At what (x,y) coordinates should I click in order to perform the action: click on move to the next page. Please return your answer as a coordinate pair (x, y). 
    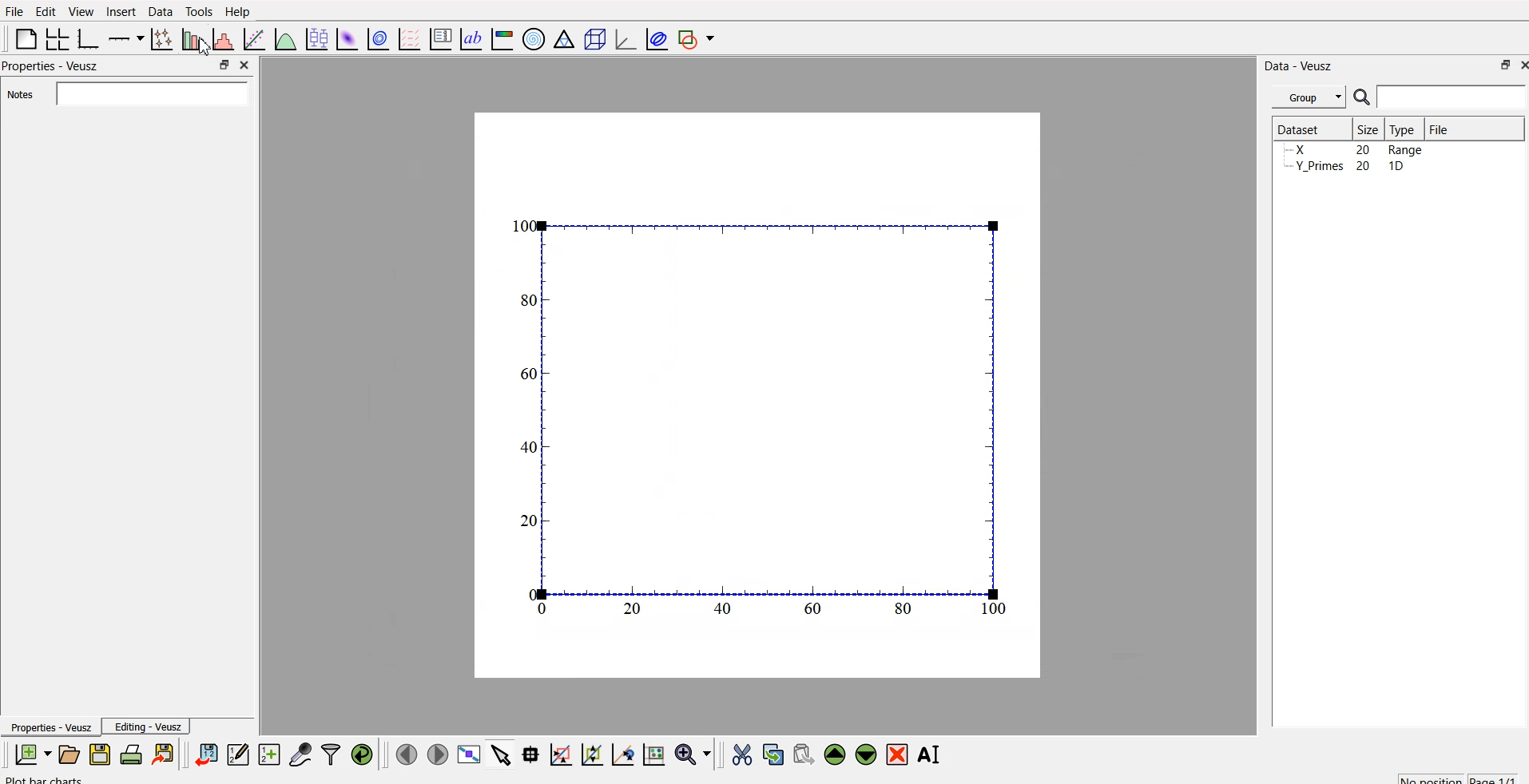
    Looking at the image, I should click on (436, 754).